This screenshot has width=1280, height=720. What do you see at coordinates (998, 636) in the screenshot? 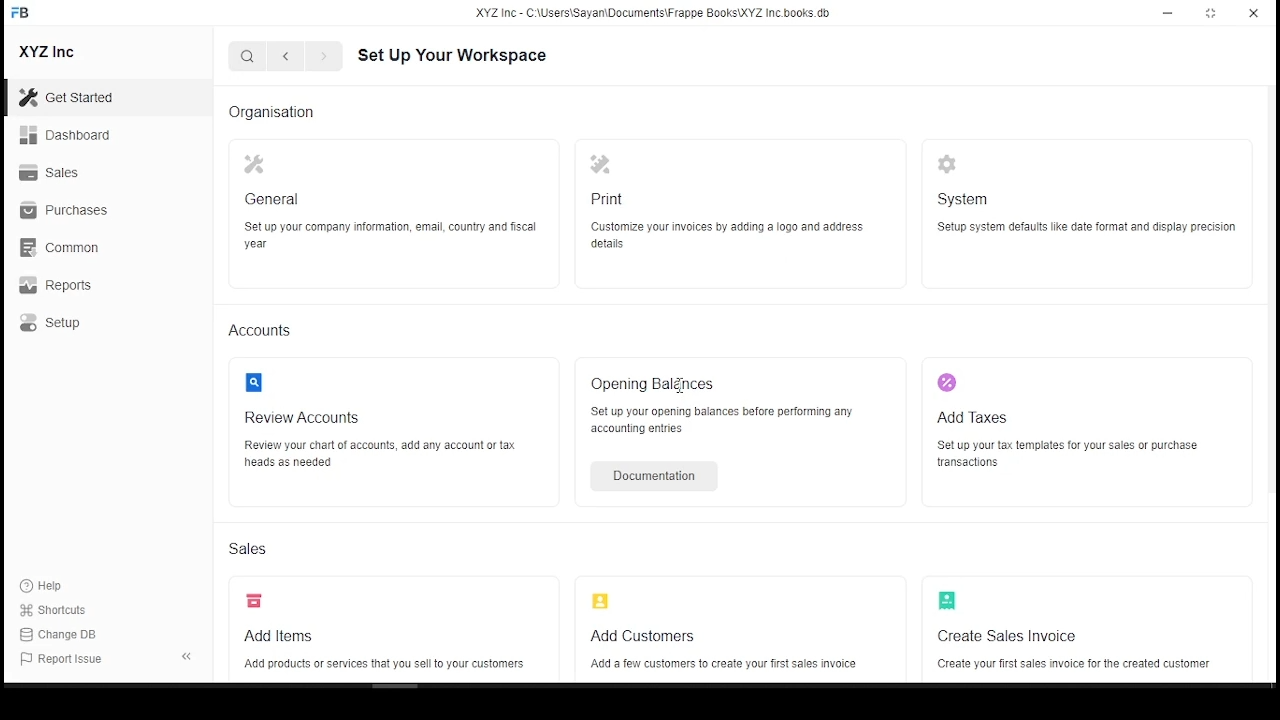
I see `cash sales invoice` at bounding box center [998, 636].